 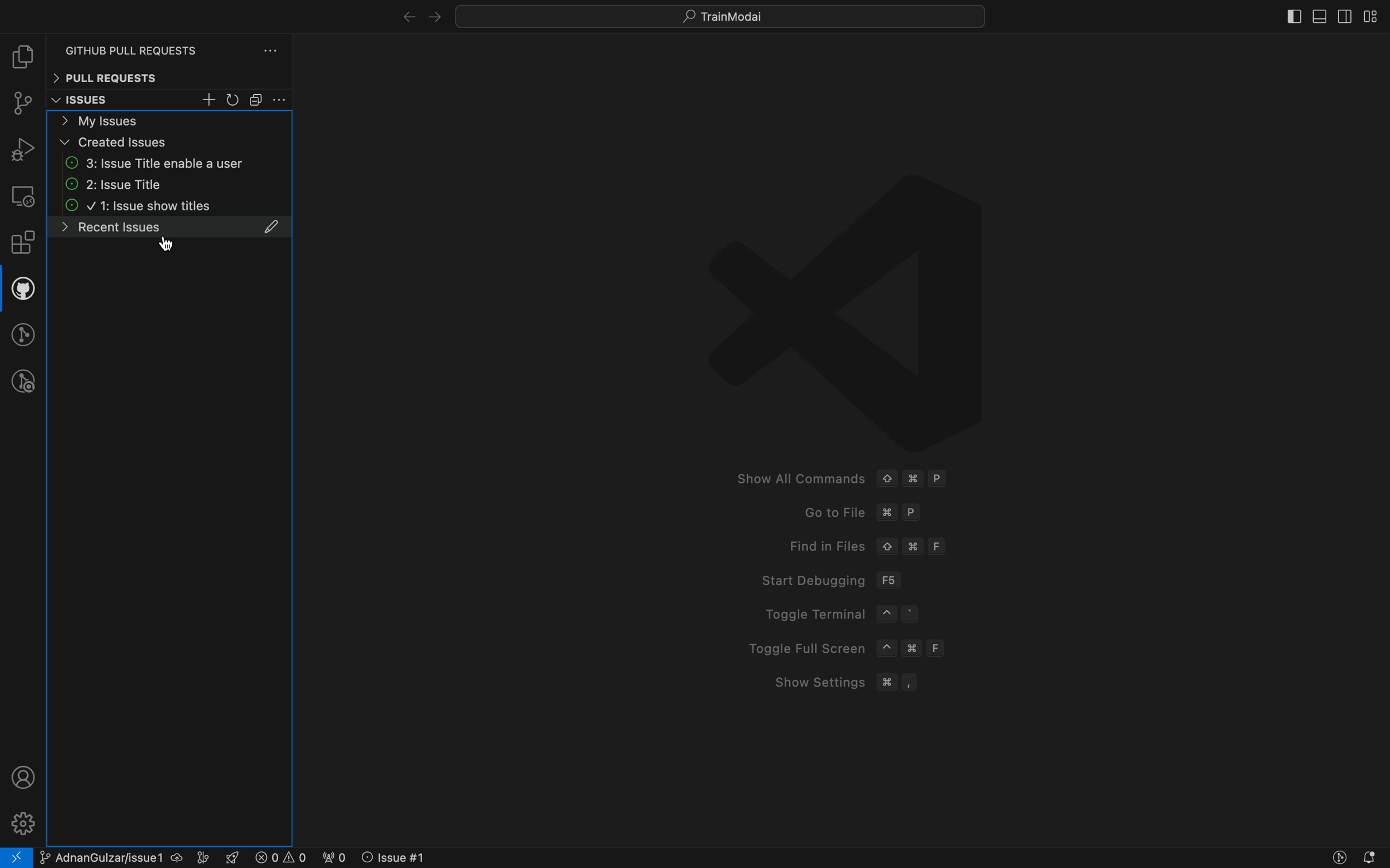 I want to click on git lens, so click(x=25, y=334).